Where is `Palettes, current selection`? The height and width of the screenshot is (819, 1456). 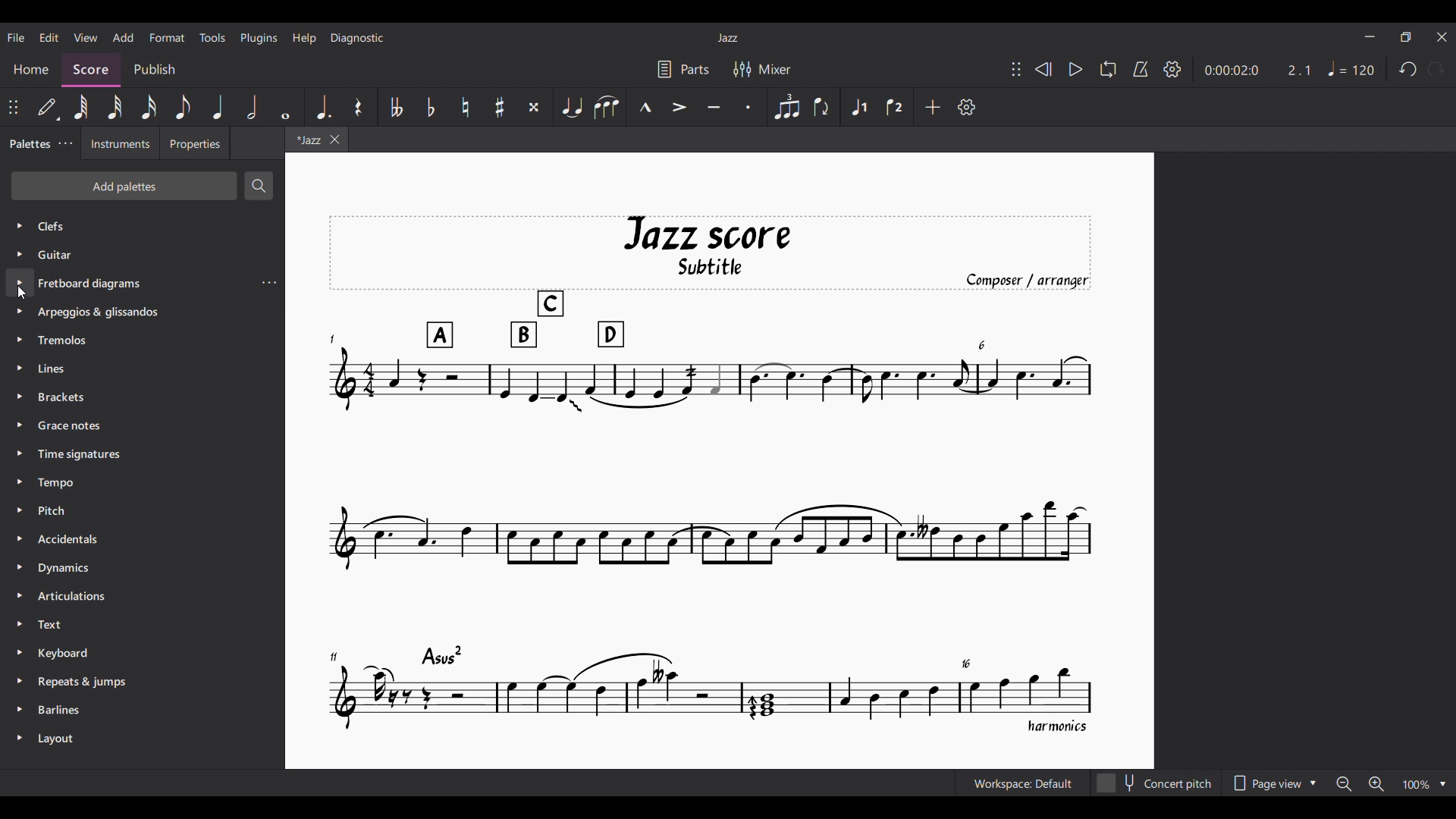
Palettes, current selection is located at coordinates (30, 144).